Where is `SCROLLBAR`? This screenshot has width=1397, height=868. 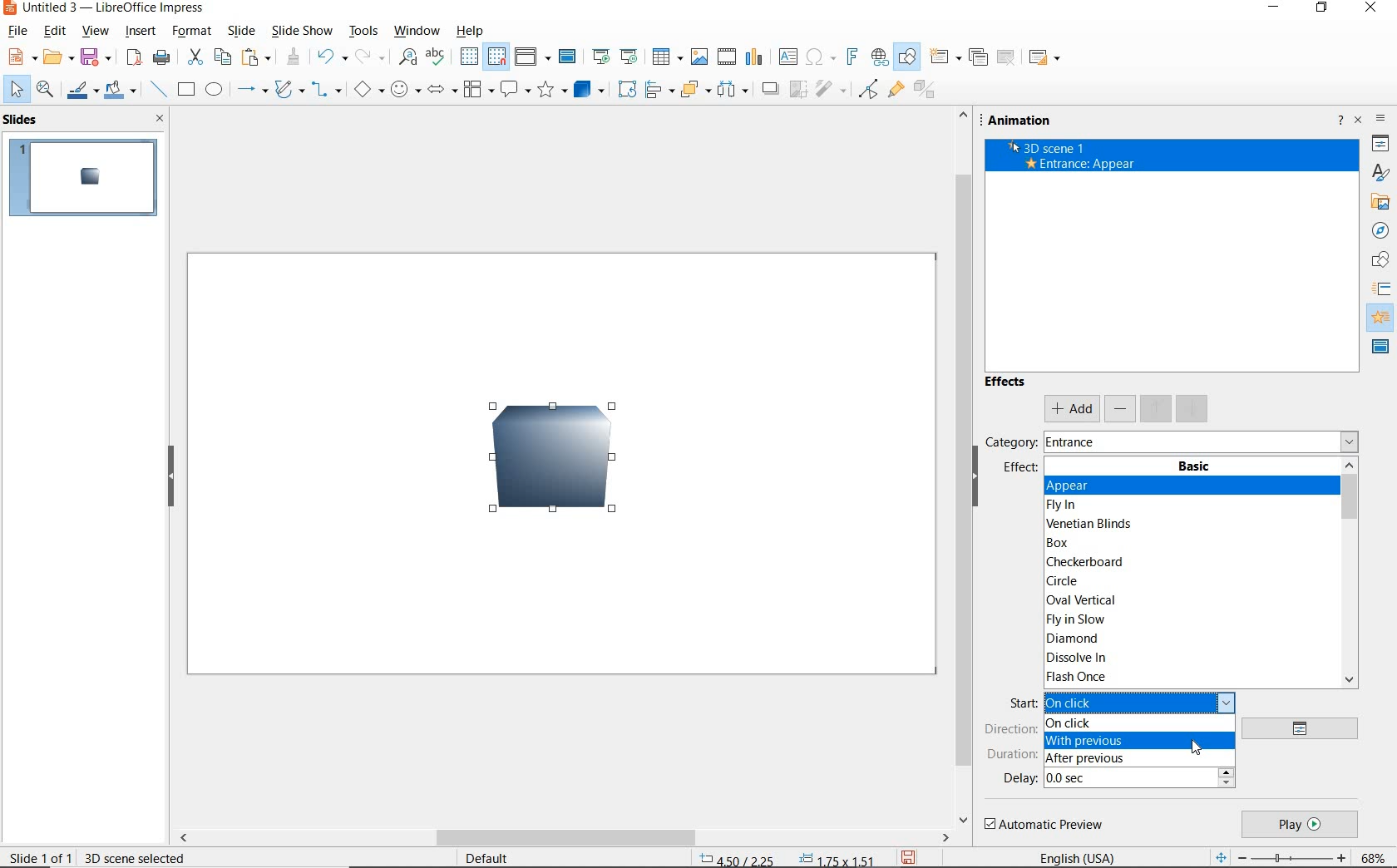 SCROLLBAR is located at coordinates (961, 467).